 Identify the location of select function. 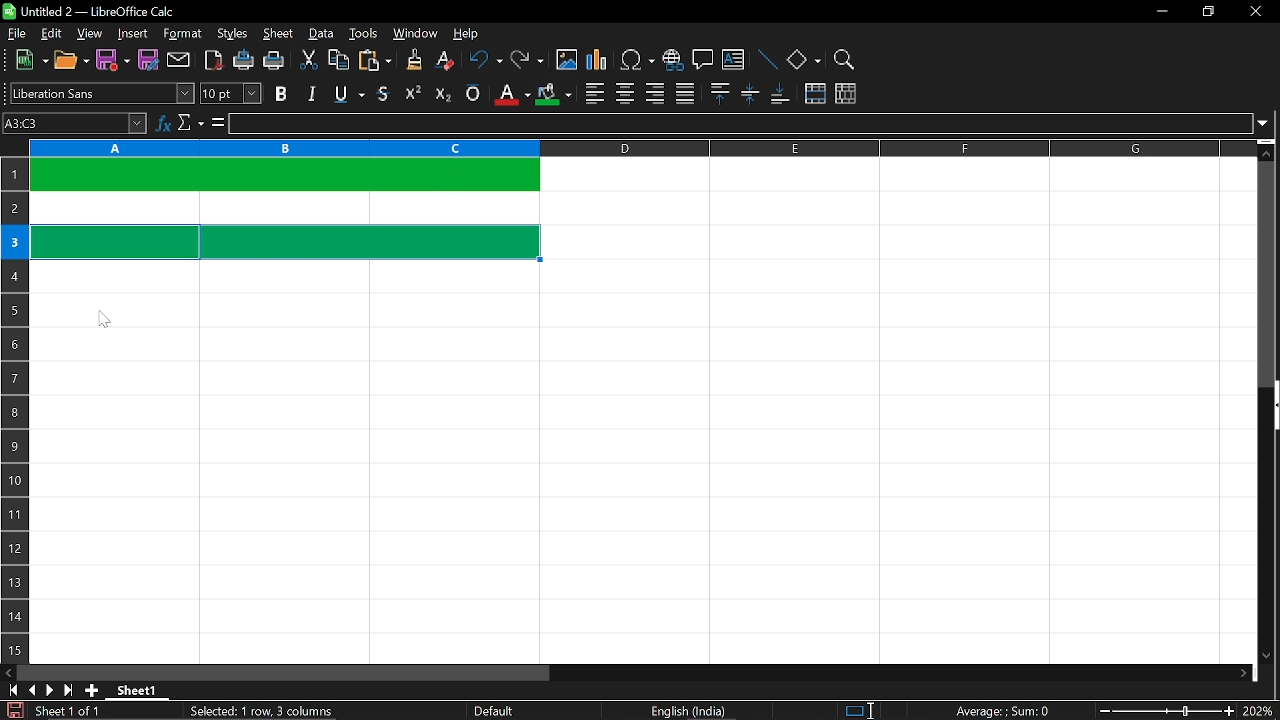
(190, 124).